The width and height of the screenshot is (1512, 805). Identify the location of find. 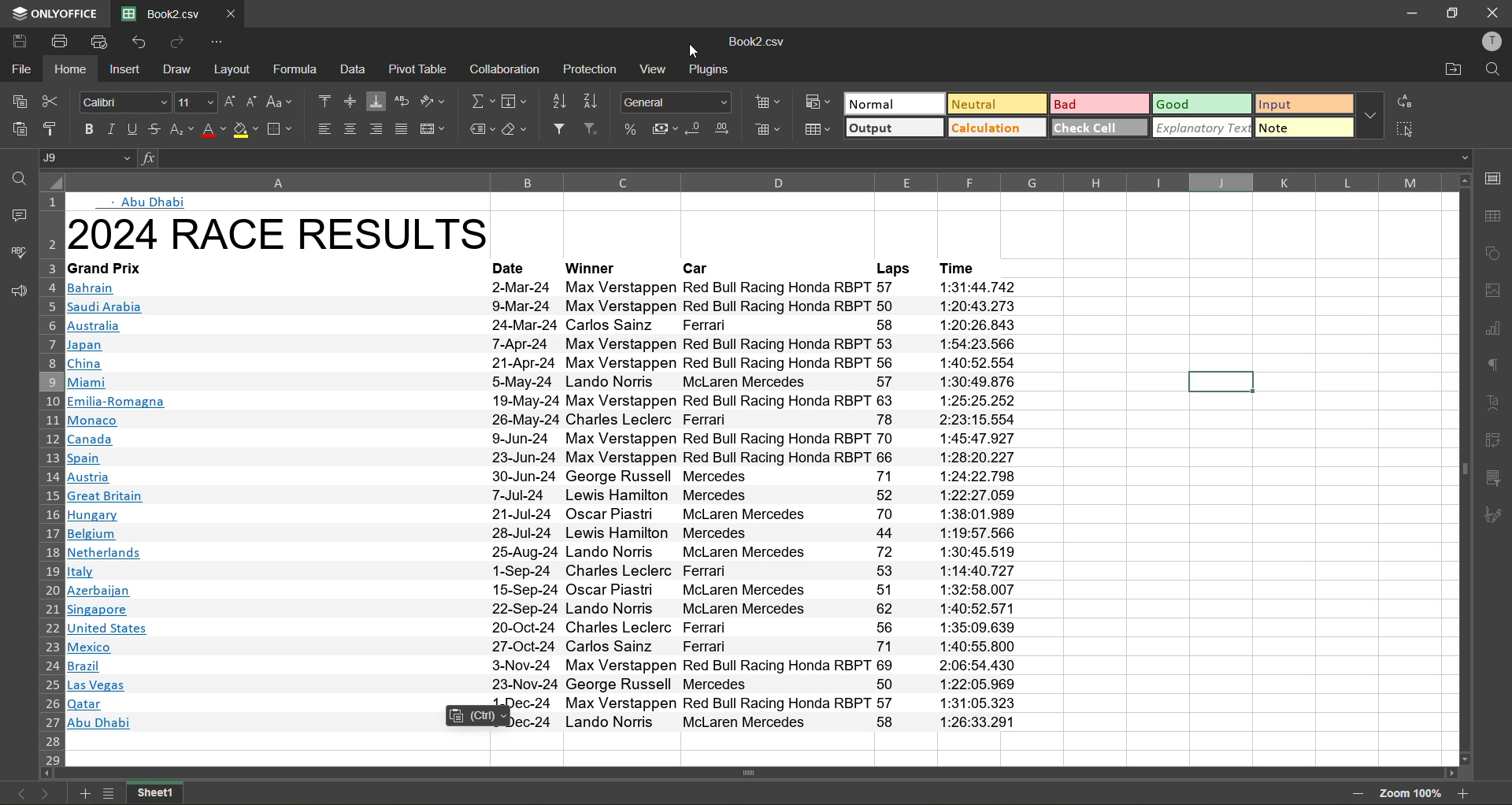
(1494, 70).